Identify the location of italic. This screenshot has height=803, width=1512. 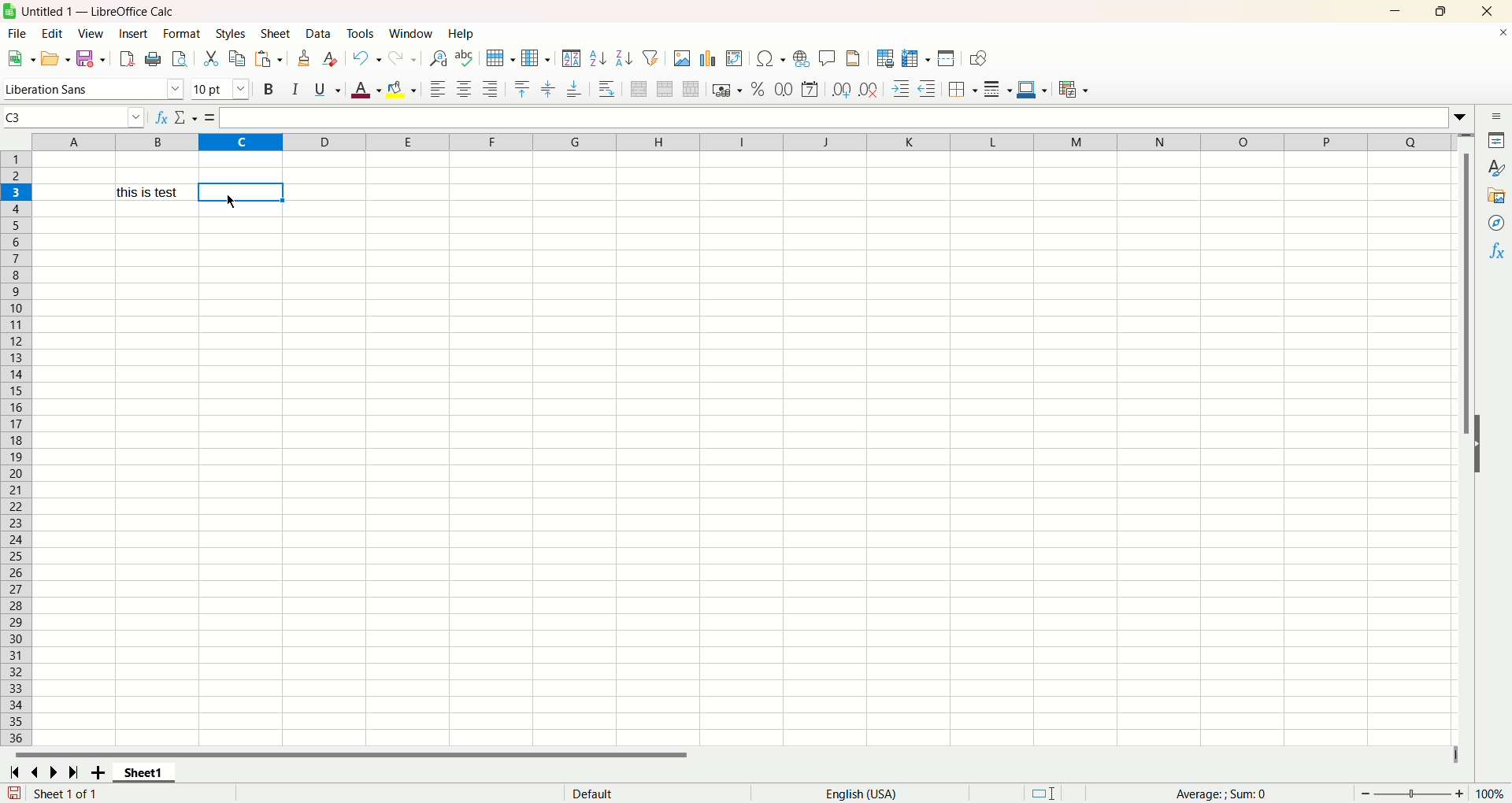
(297, 88).